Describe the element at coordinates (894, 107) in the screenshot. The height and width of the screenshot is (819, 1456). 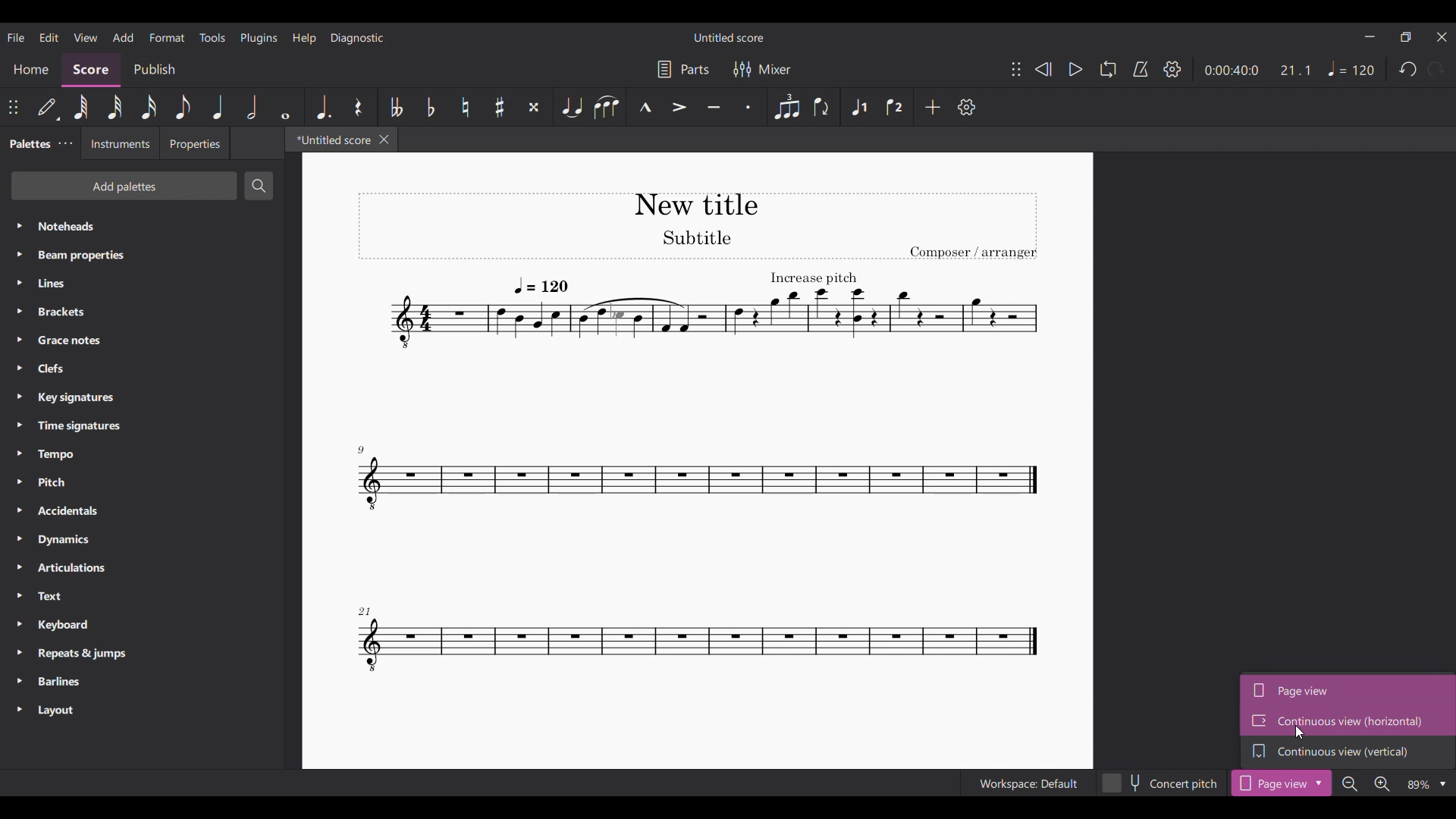
I see `Voice 2` at that location.